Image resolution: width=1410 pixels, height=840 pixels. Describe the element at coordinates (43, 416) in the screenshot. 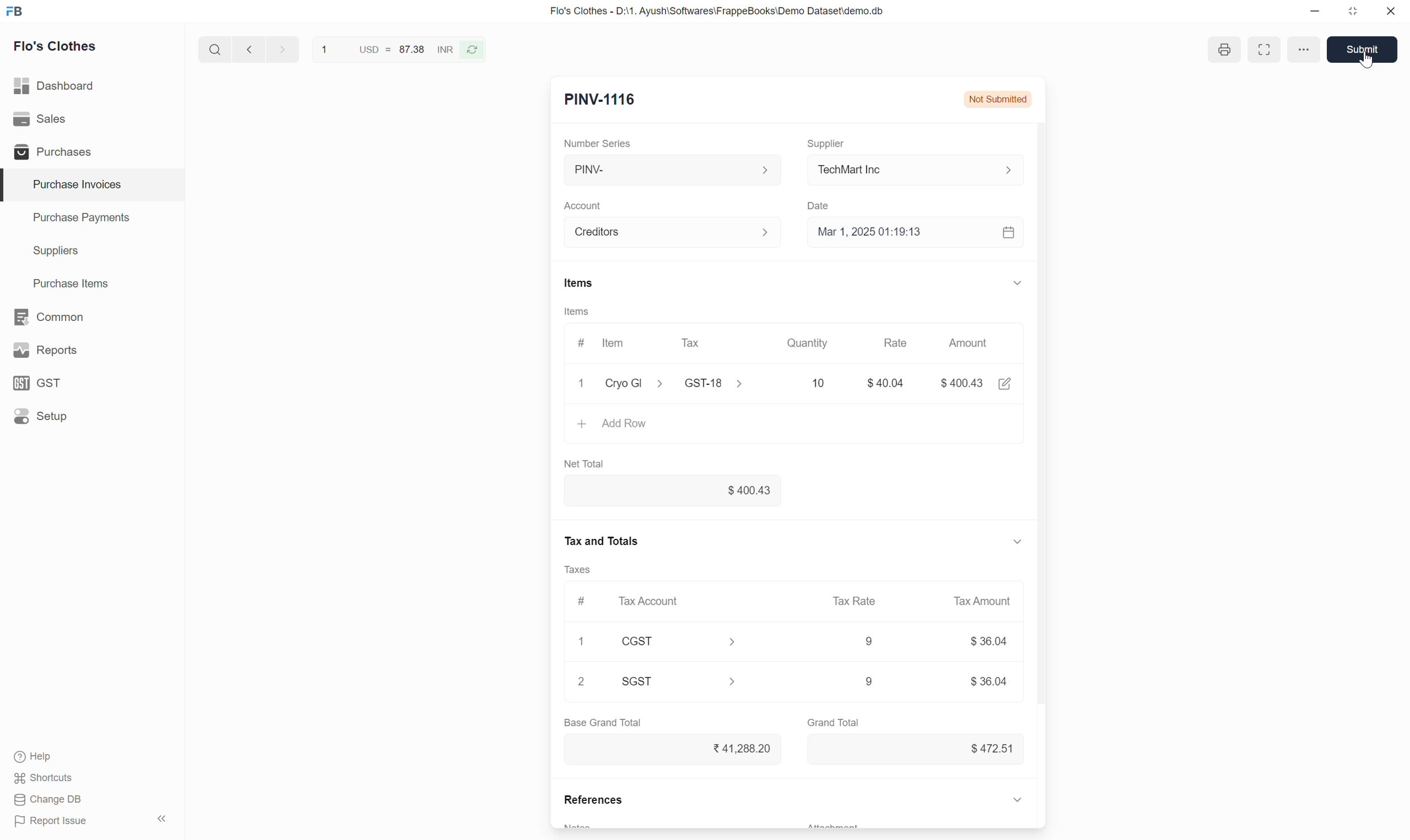

I see `Setup` at that location.